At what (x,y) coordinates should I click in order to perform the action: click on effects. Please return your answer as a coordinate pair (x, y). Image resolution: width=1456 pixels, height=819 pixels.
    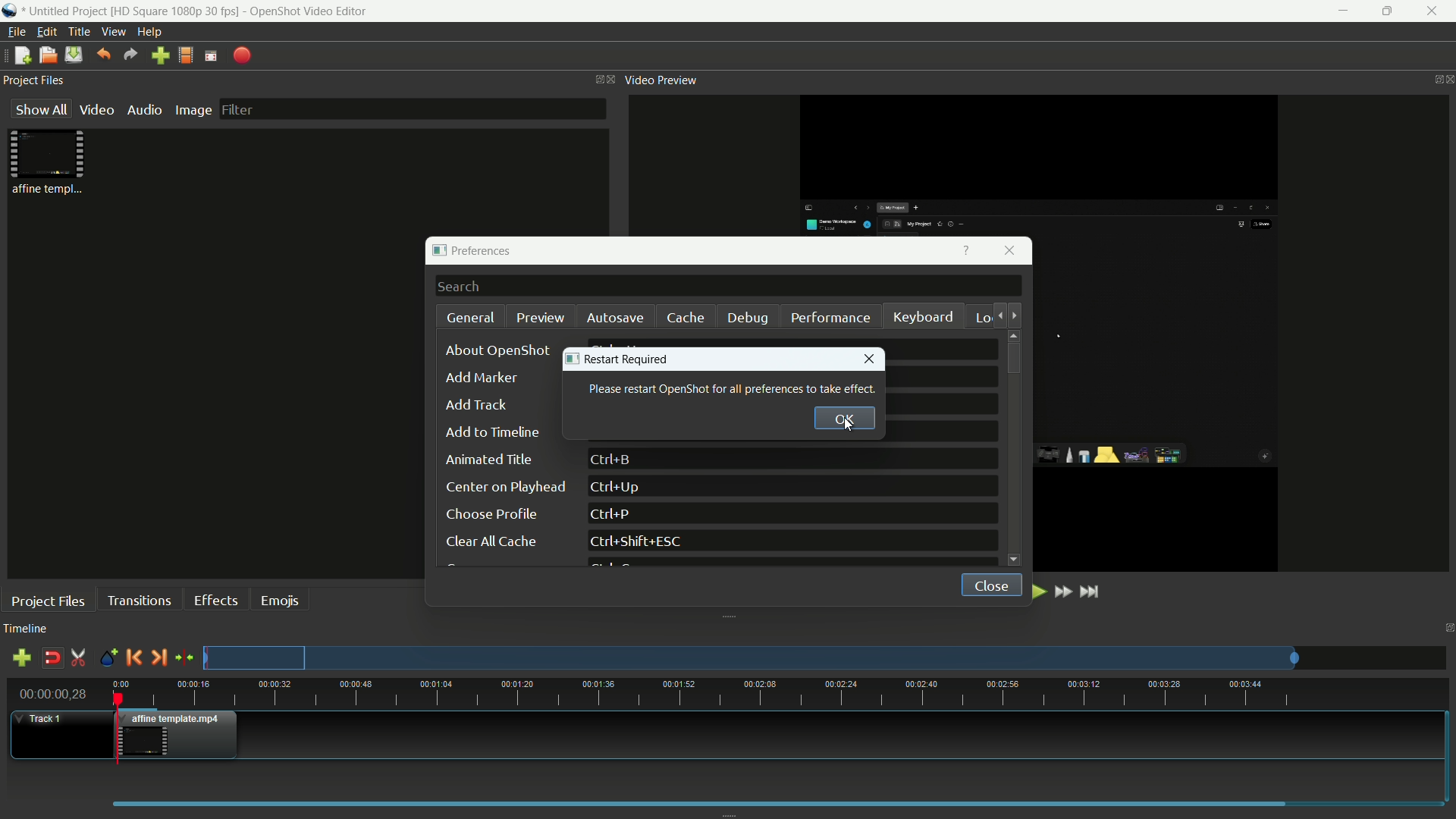
    Looking at the image, I should click on (218, 600).